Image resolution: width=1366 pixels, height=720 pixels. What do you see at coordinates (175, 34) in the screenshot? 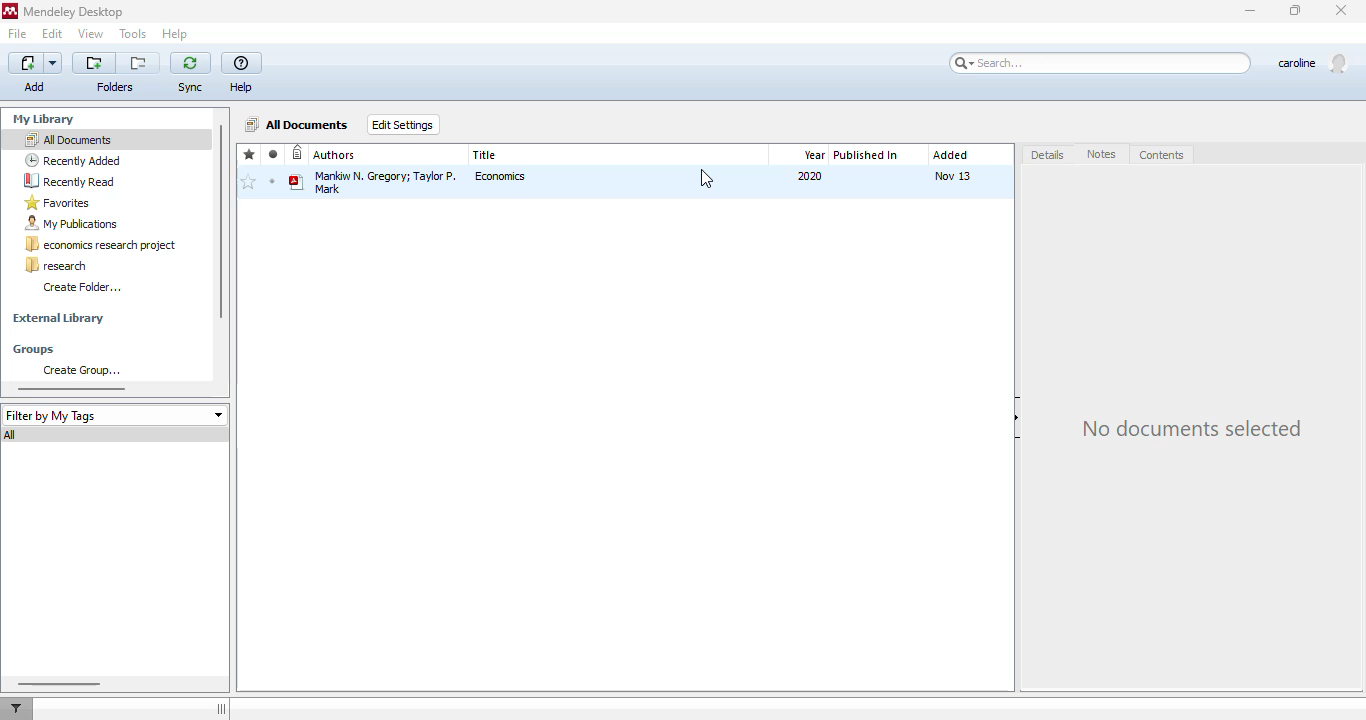
I see `help` at bounding box center [175, 34].